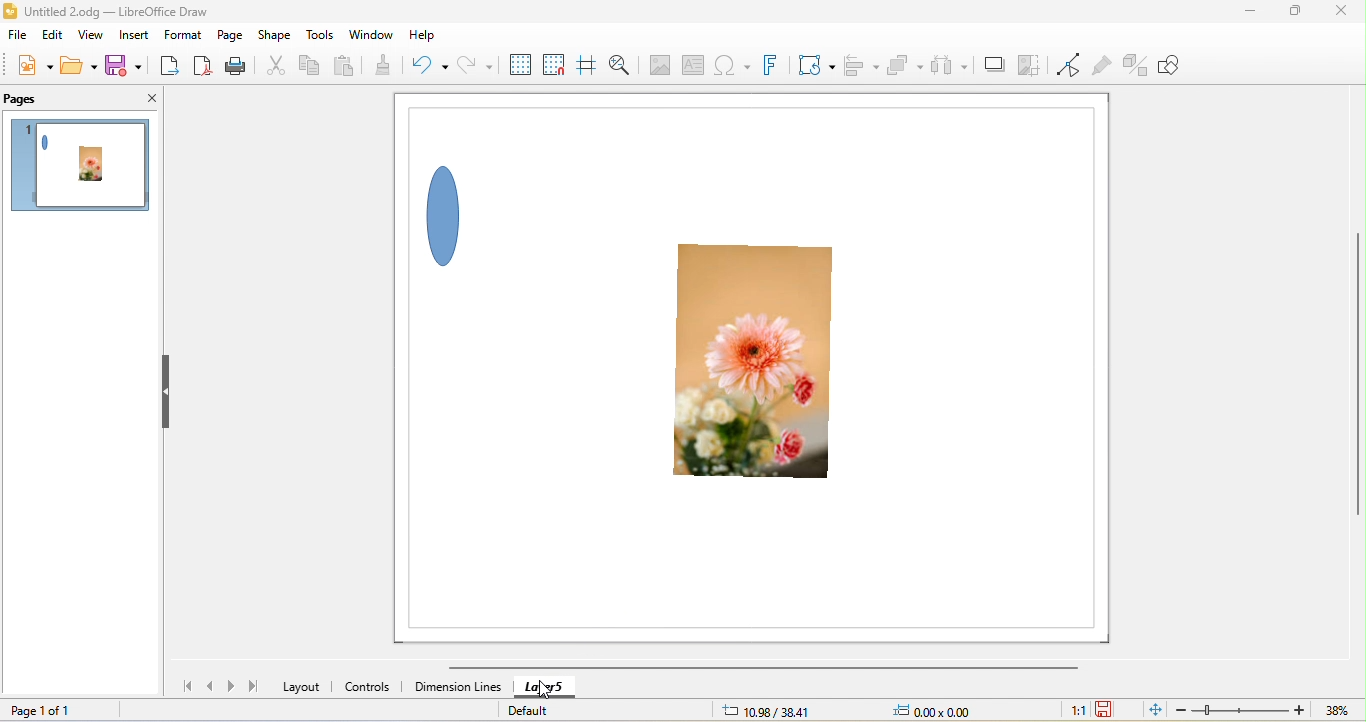  Describe the element at coordinates (1153, 709) in the screenshot. I see `fit page to current window` at that location.